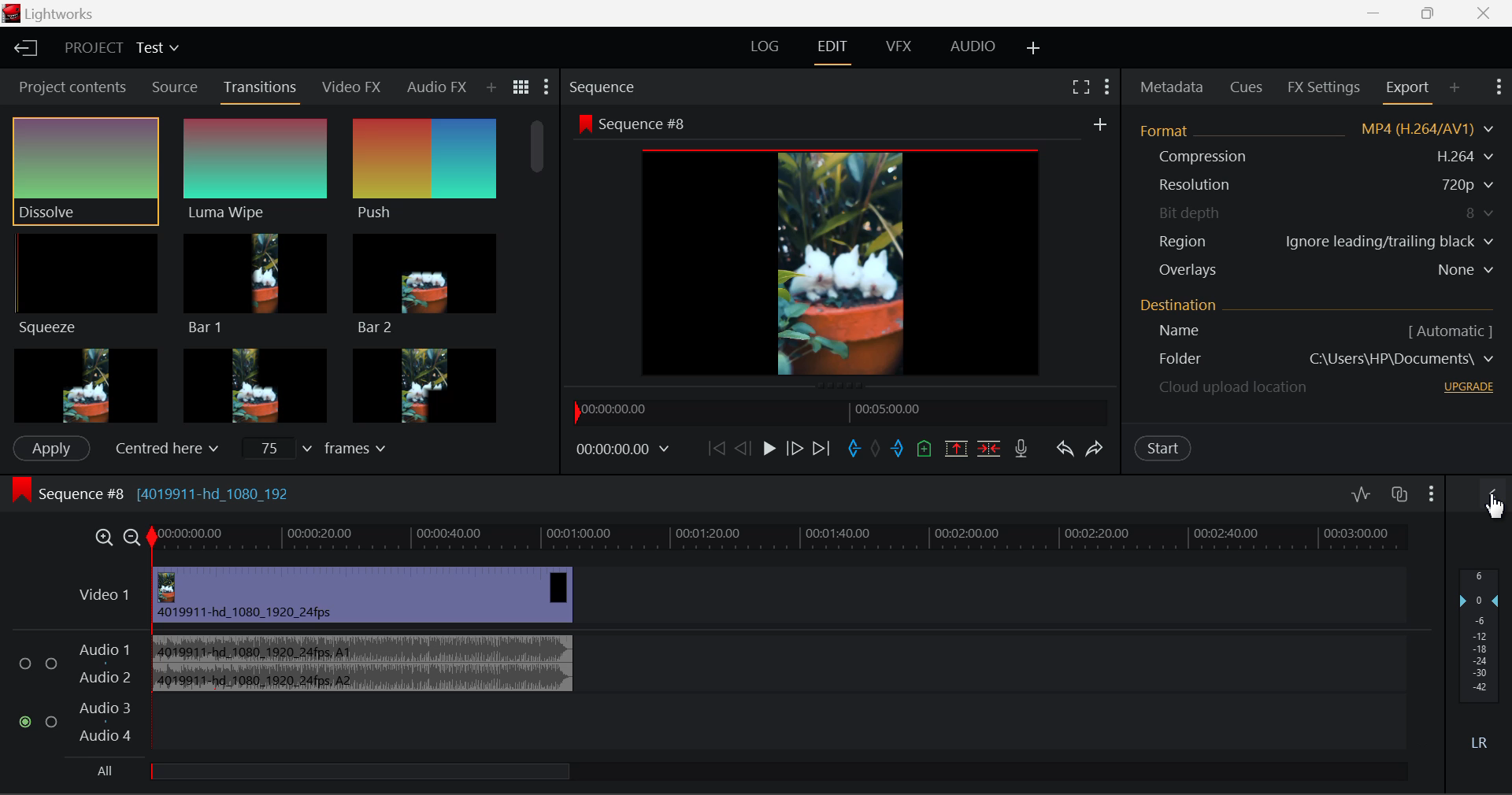  What do you see at coordinates (625, 449) in the screenshot?
I see `Frame Time` at bounding box center [625, 449].